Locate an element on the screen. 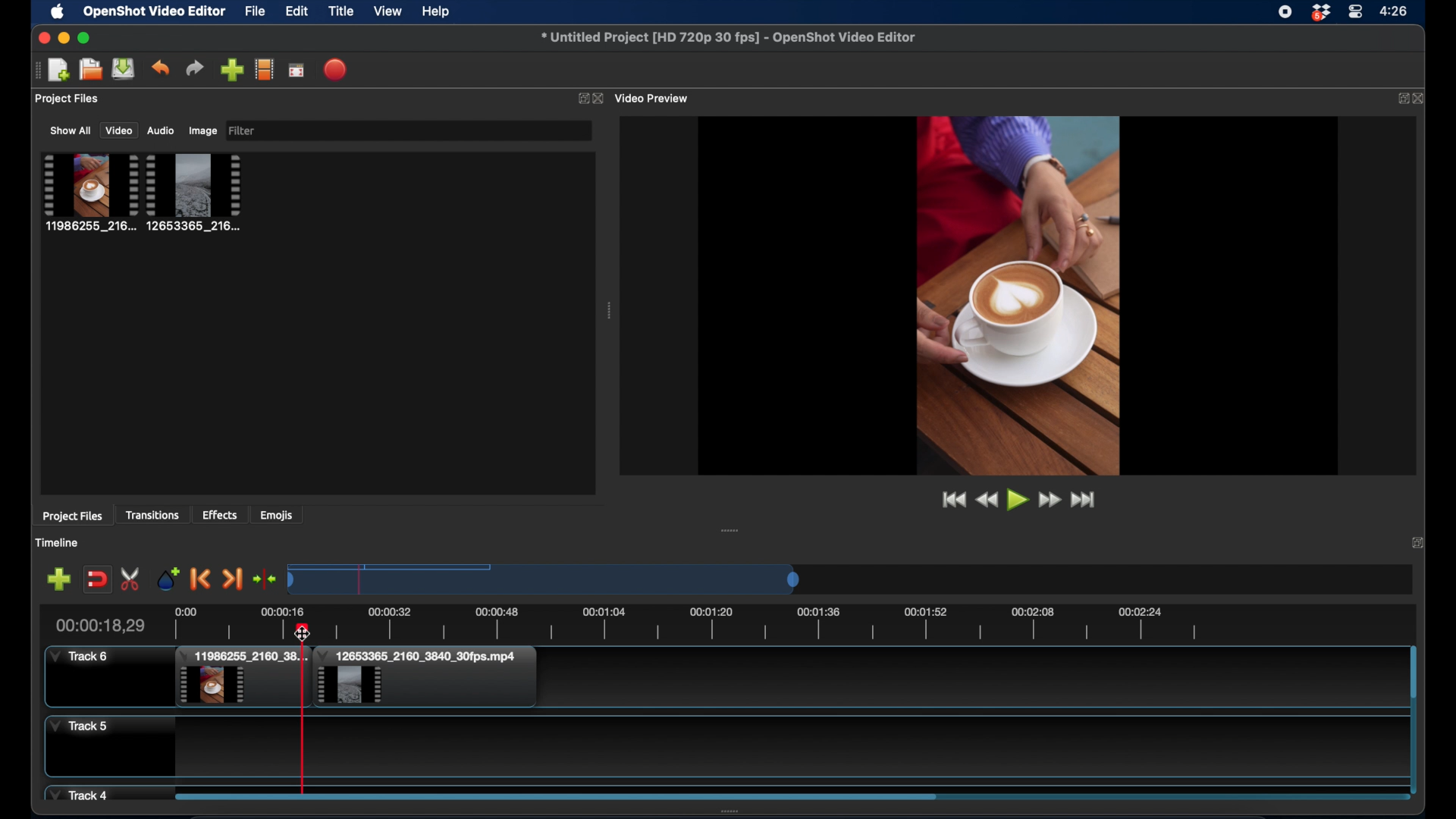  project file is located at coordinates (89, 192).